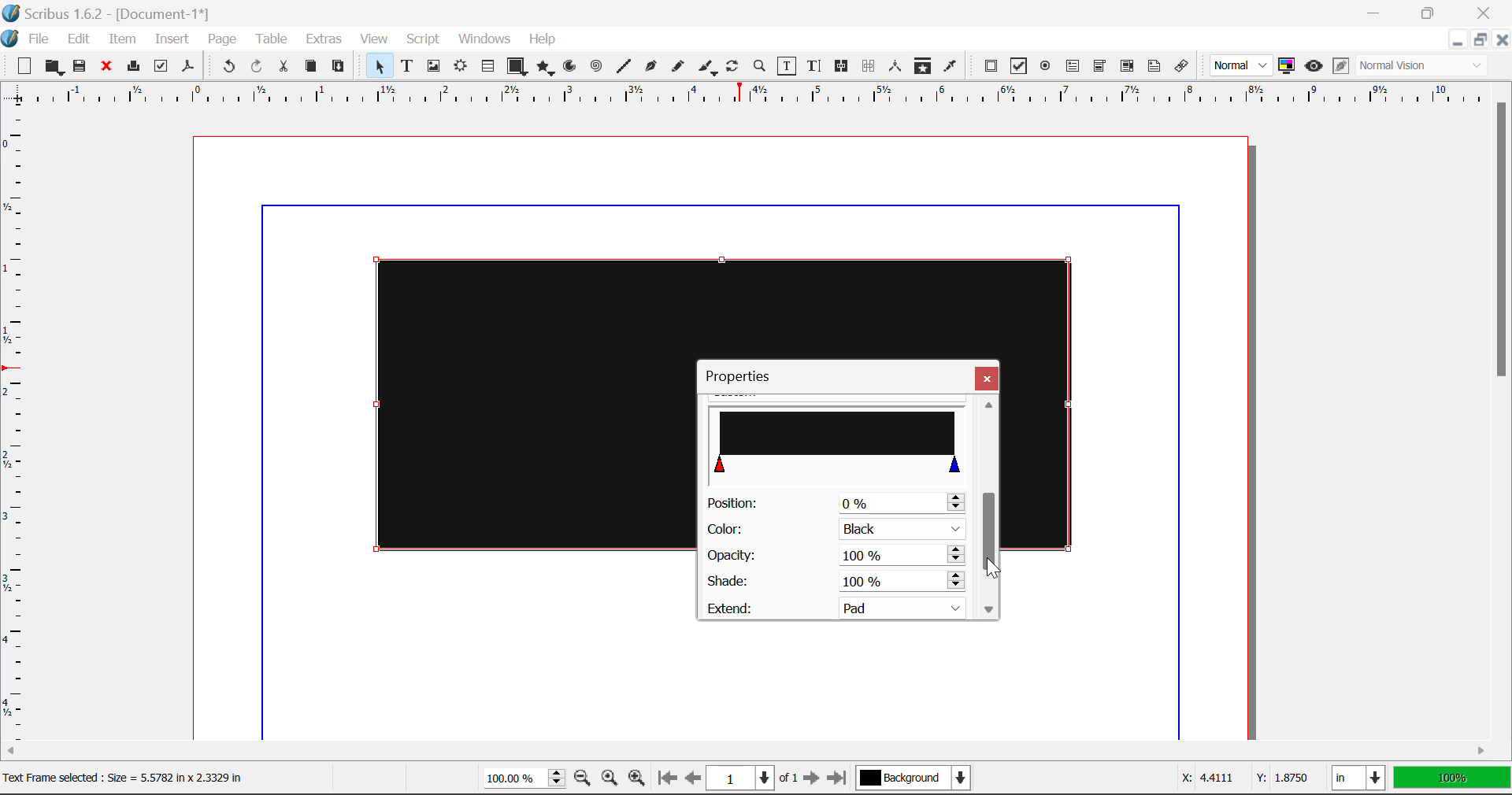  I want to click on Shapes, so click(517, 68).